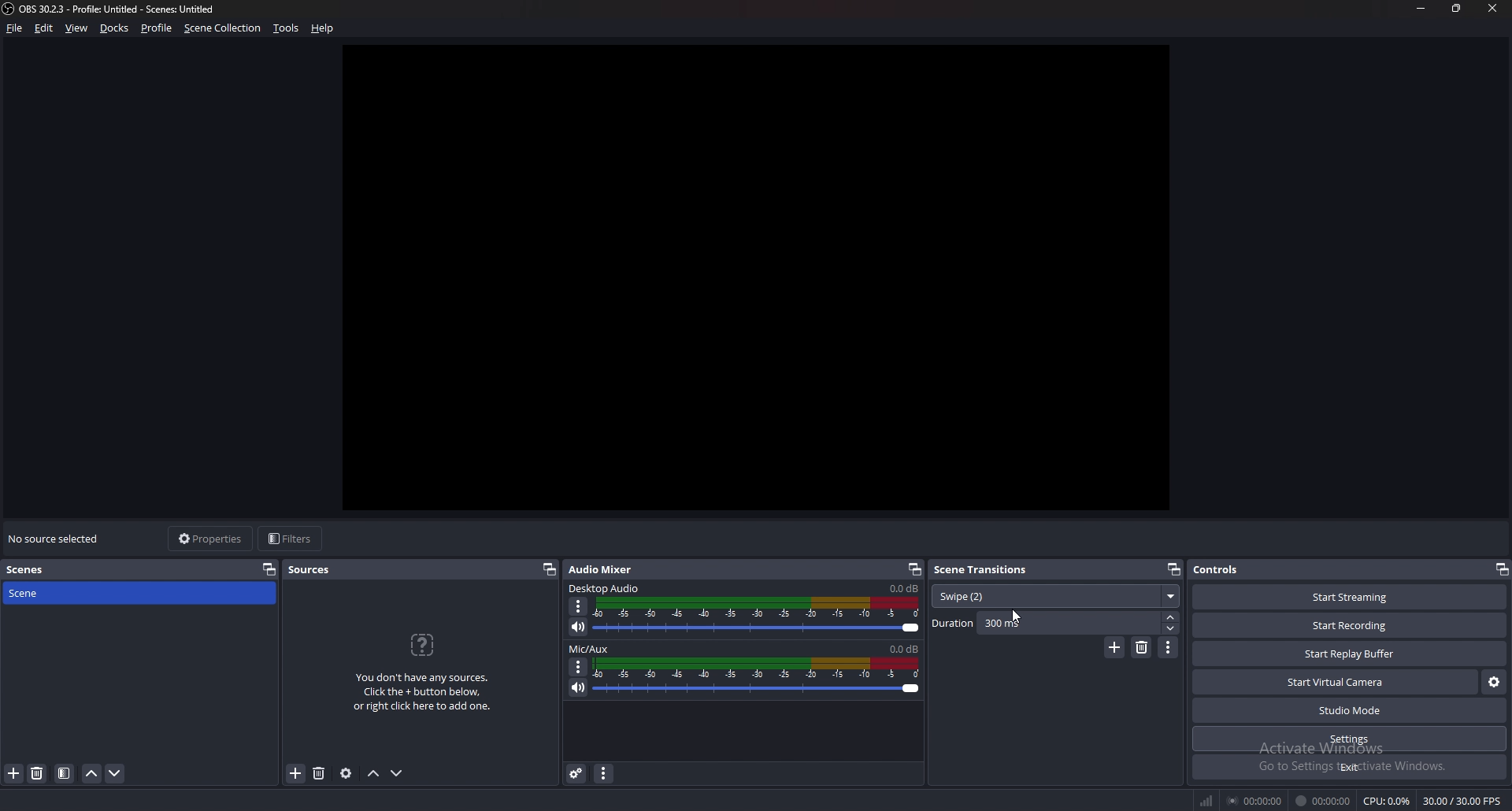  Describe the element at coordinates (579, 626) in the screenshot. I see `mute` at that location.